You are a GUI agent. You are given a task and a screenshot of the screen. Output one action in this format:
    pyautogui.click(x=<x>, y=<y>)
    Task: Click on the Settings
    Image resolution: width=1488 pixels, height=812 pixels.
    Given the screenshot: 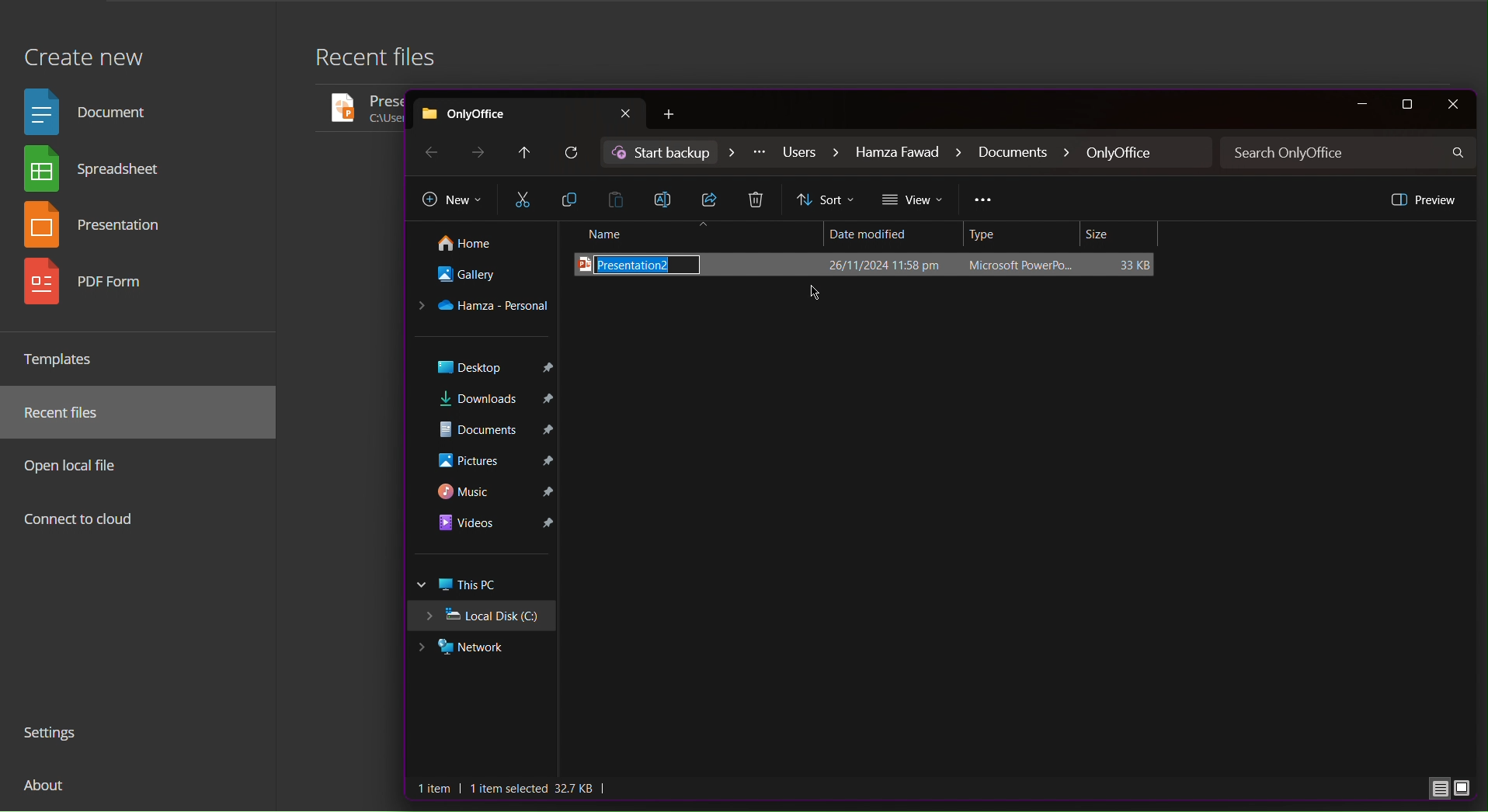 What is the action you would take?
    pyautogui.click(x=57, y=735)
    